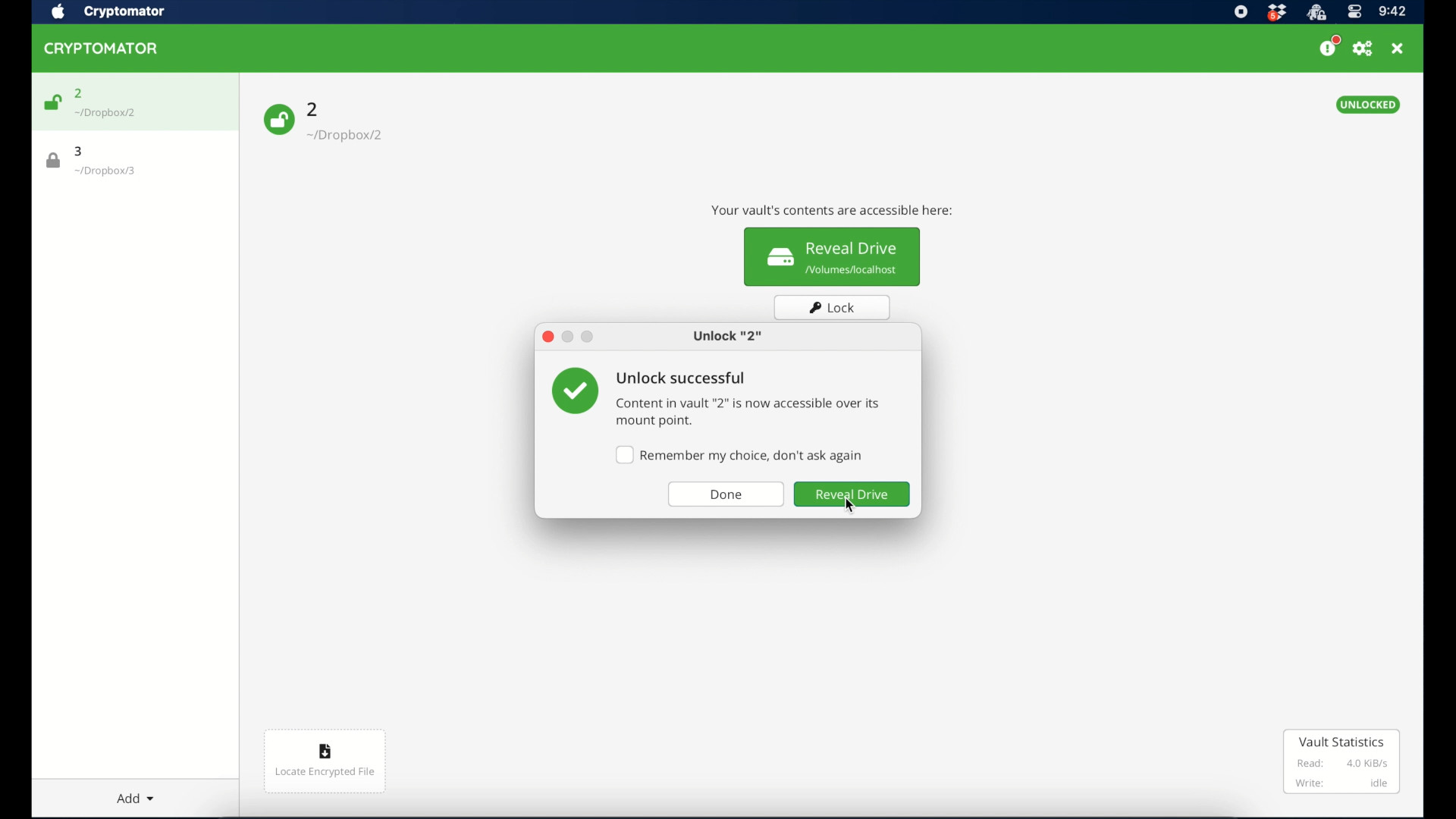 This screenshot has height=819, width=1456. I want to click on lock, so click(833, 307).